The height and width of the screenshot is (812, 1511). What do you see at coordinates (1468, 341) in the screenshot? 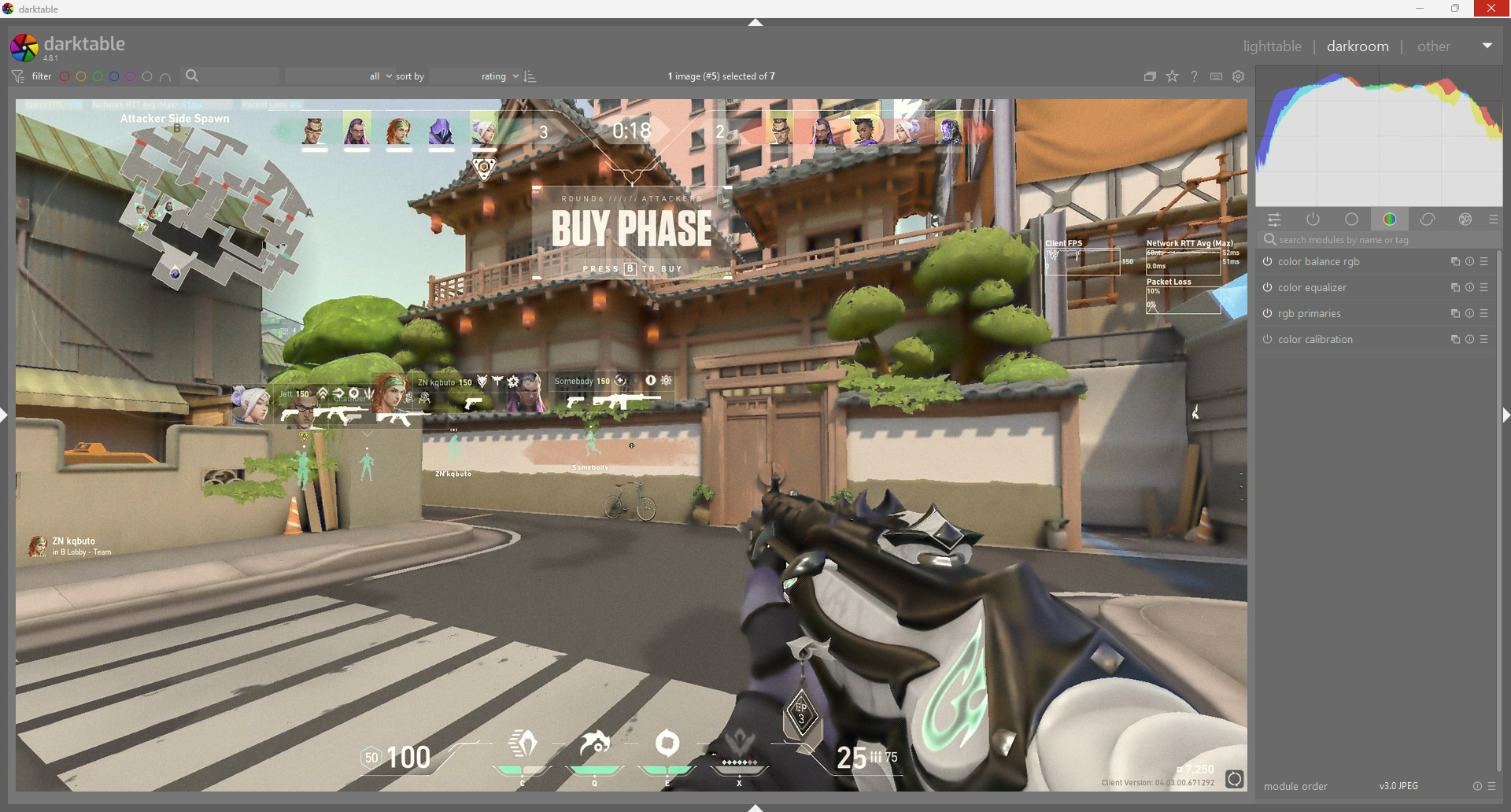
I see `reset` at bounding box center [1468, 341].